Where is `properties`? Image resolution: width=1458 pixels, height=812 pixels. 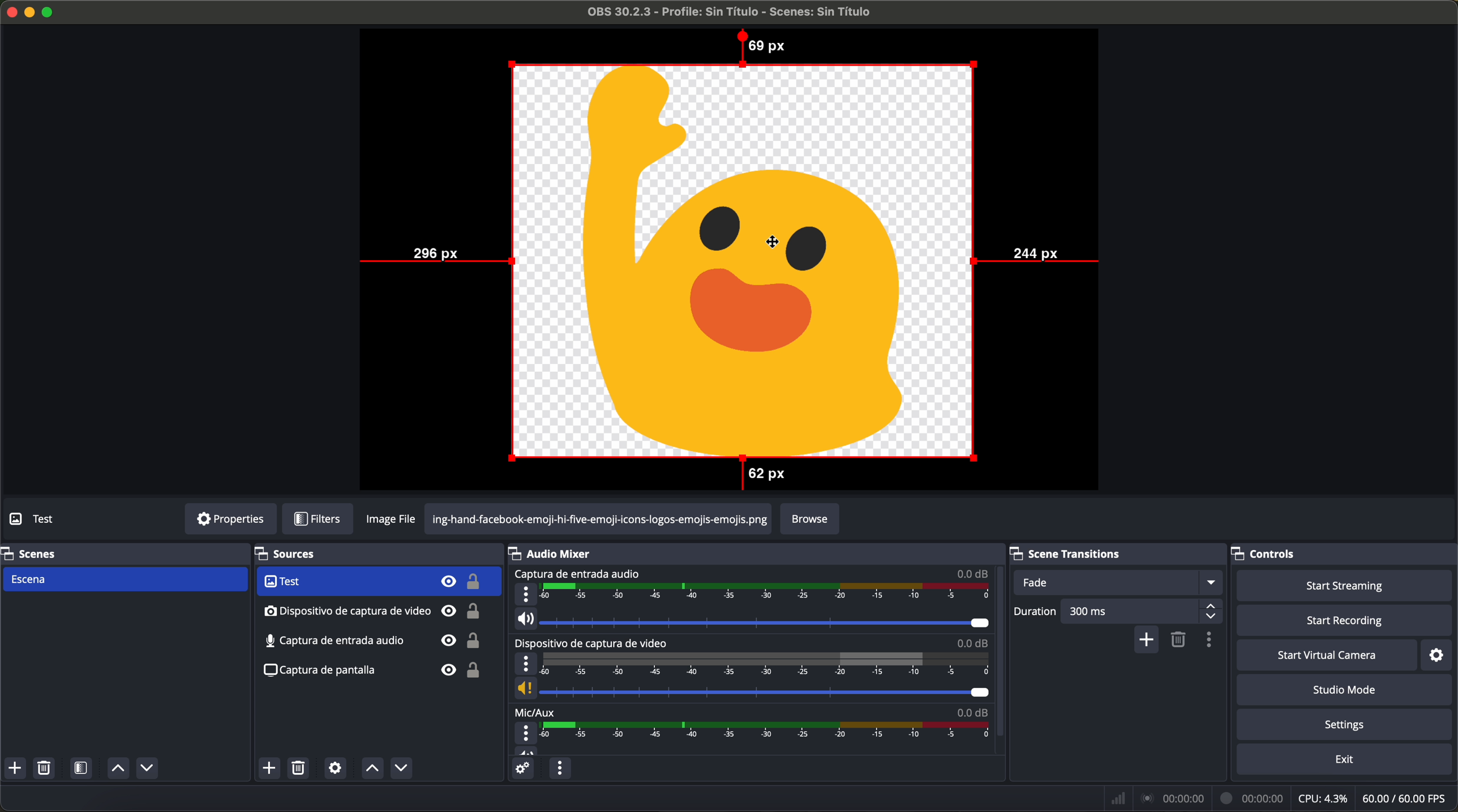
properties is located at coordinates (230, 519).